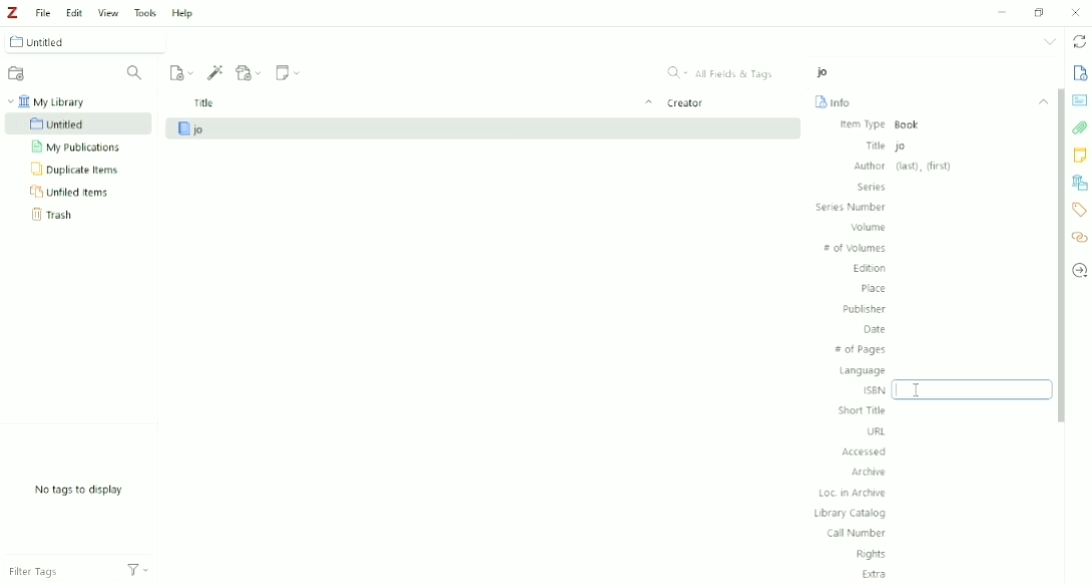 This screenshot has width=1092, height=584. Describe the element at coordinates (214, 71) in the screenshot. I see `Add Item (s) by Identifier` at that location.